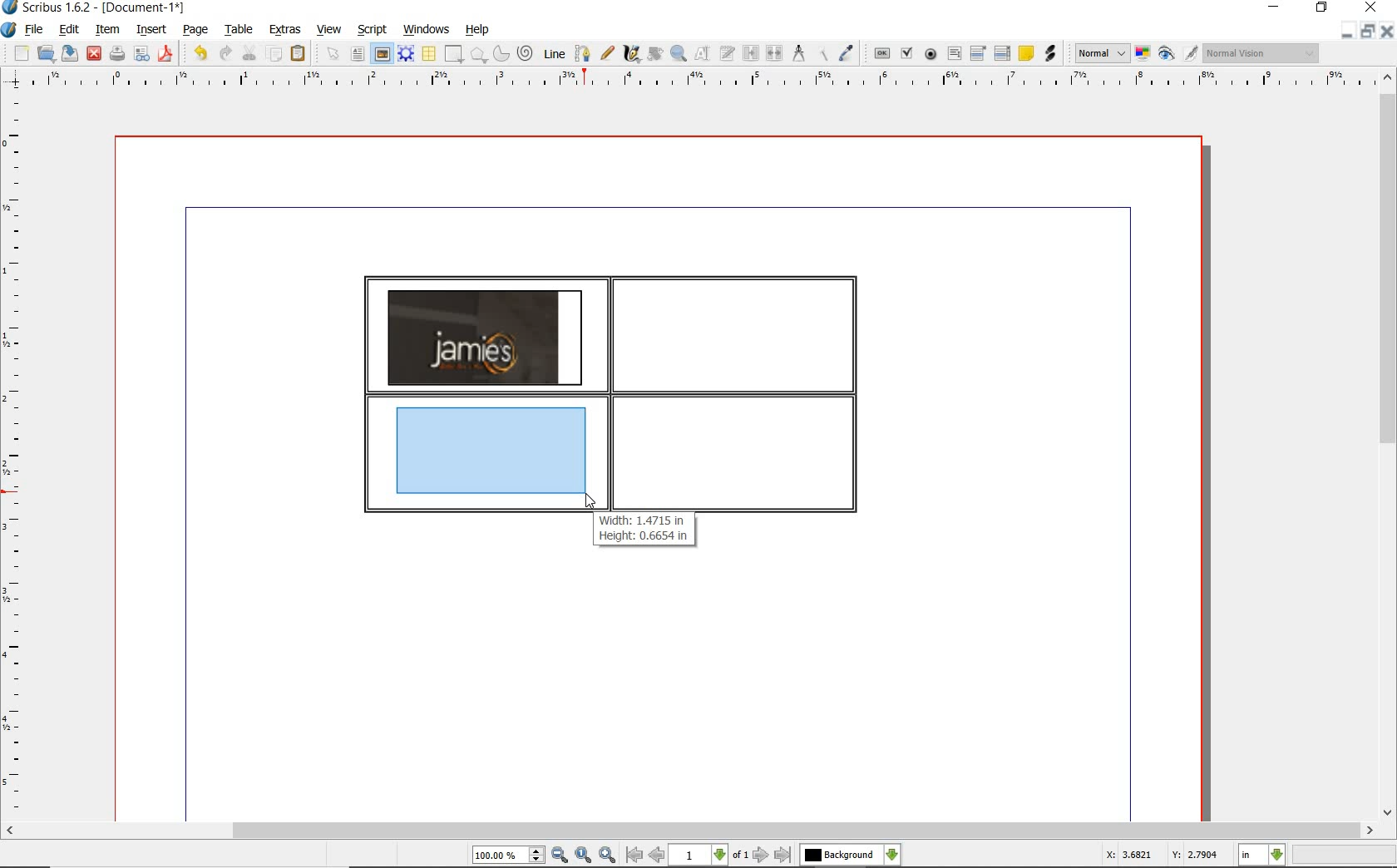 The image size is (1397, 868). I want to click on view , so click(332, 30).